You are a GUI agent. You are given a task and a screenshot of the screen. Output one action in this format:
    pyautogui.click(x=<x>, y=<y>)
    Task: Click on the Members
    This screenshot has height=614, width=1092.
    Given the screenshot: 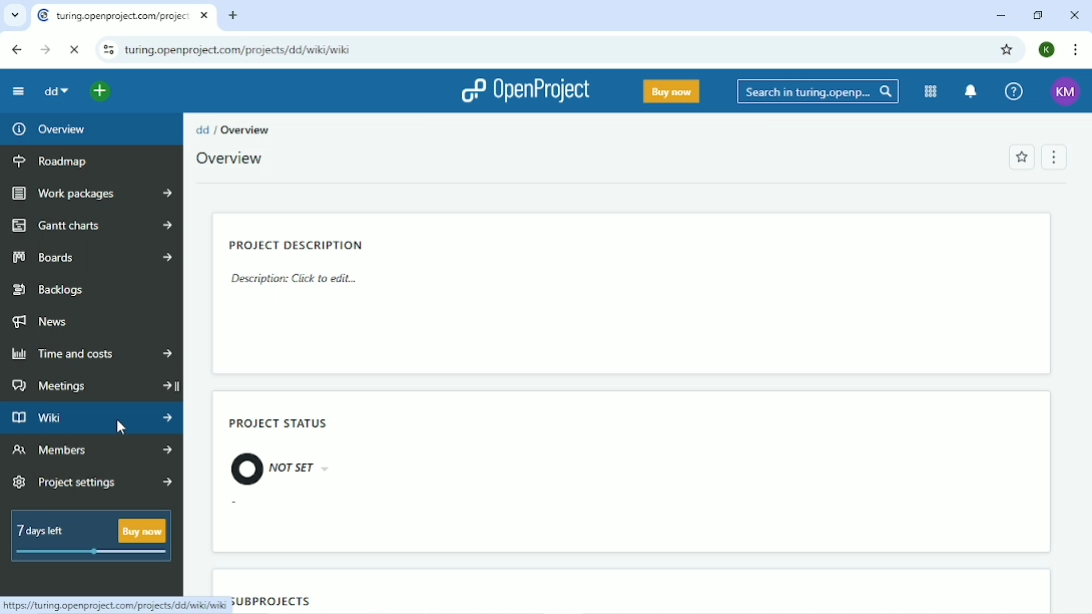 What is the action you would take?
    pyautogui.click(x=88, y=450)
    